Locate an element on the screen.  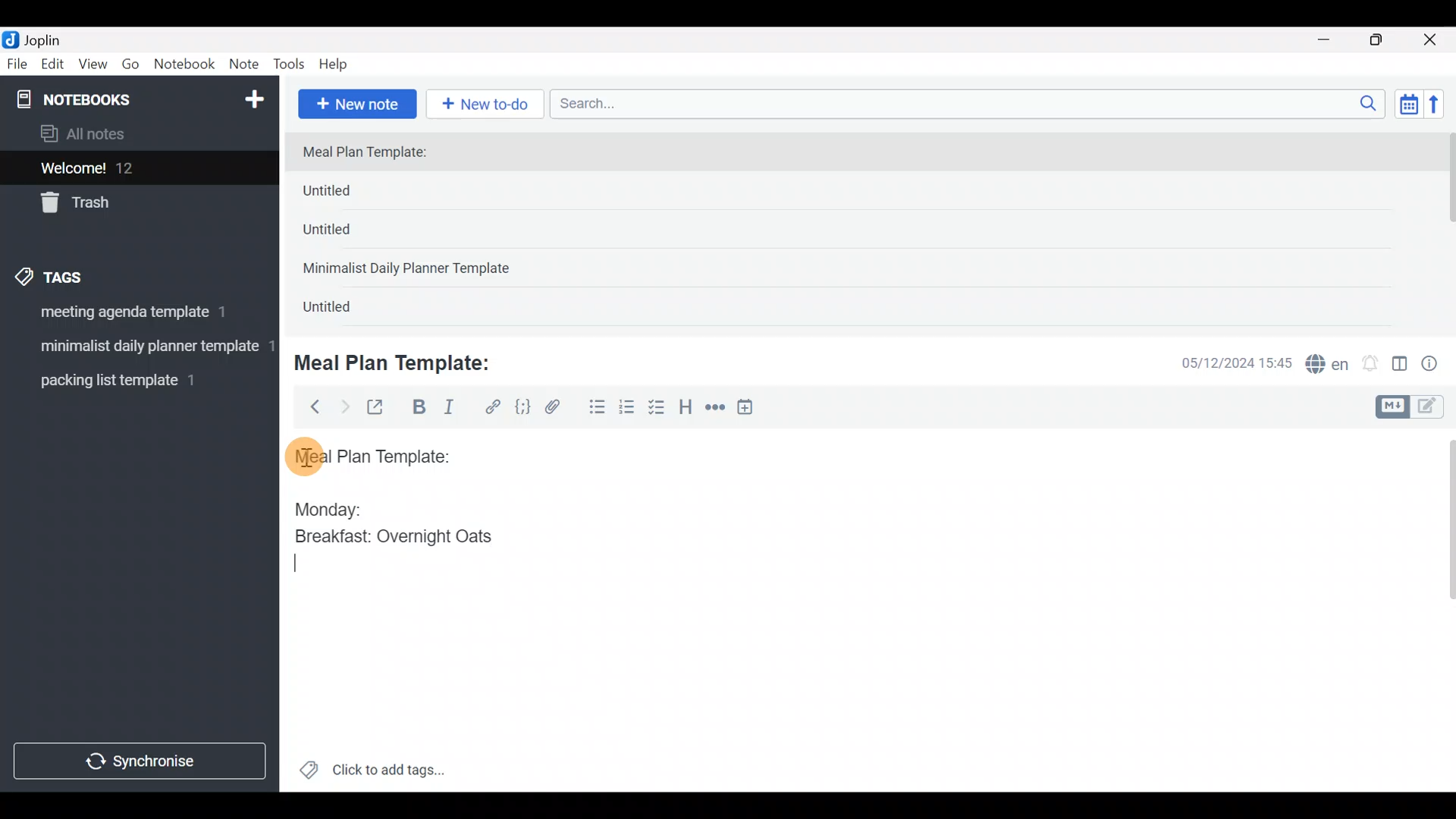
Synchronize is located at coordinates (142, 761).